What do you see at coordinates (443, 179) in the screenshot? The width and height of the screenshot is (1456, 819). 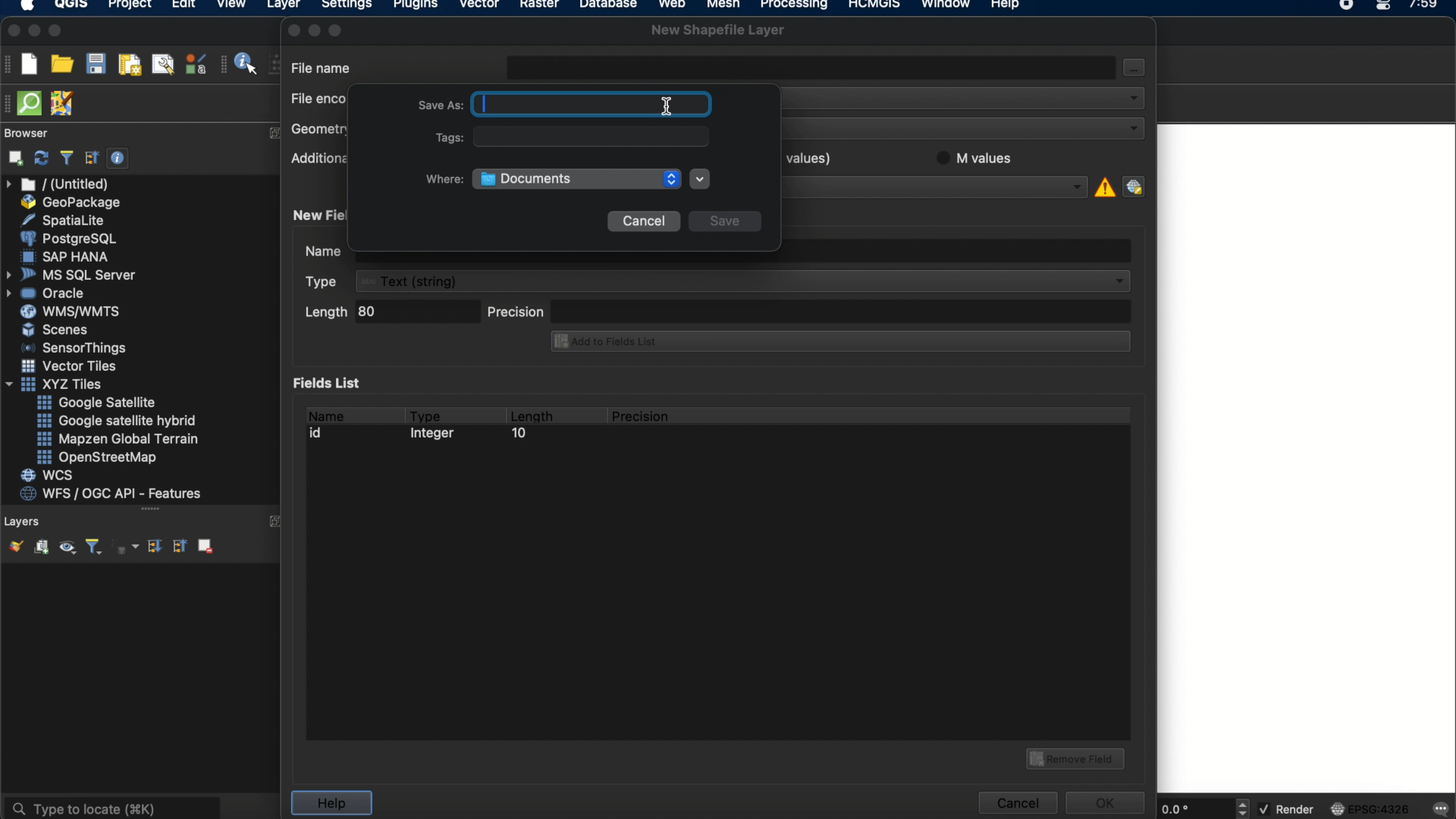 I see `where` at bounding box center [443, 179].